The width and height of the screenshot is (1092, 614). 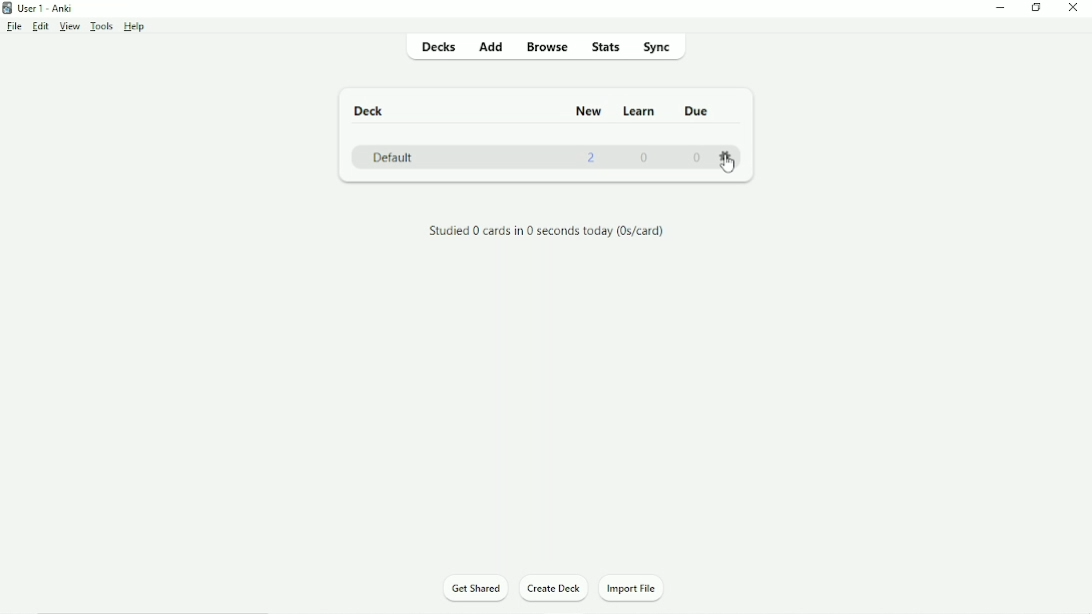 What do you see at coordinates (670, 48) in the screenshot?
I see `Sync` at bounding box center [670, 48].